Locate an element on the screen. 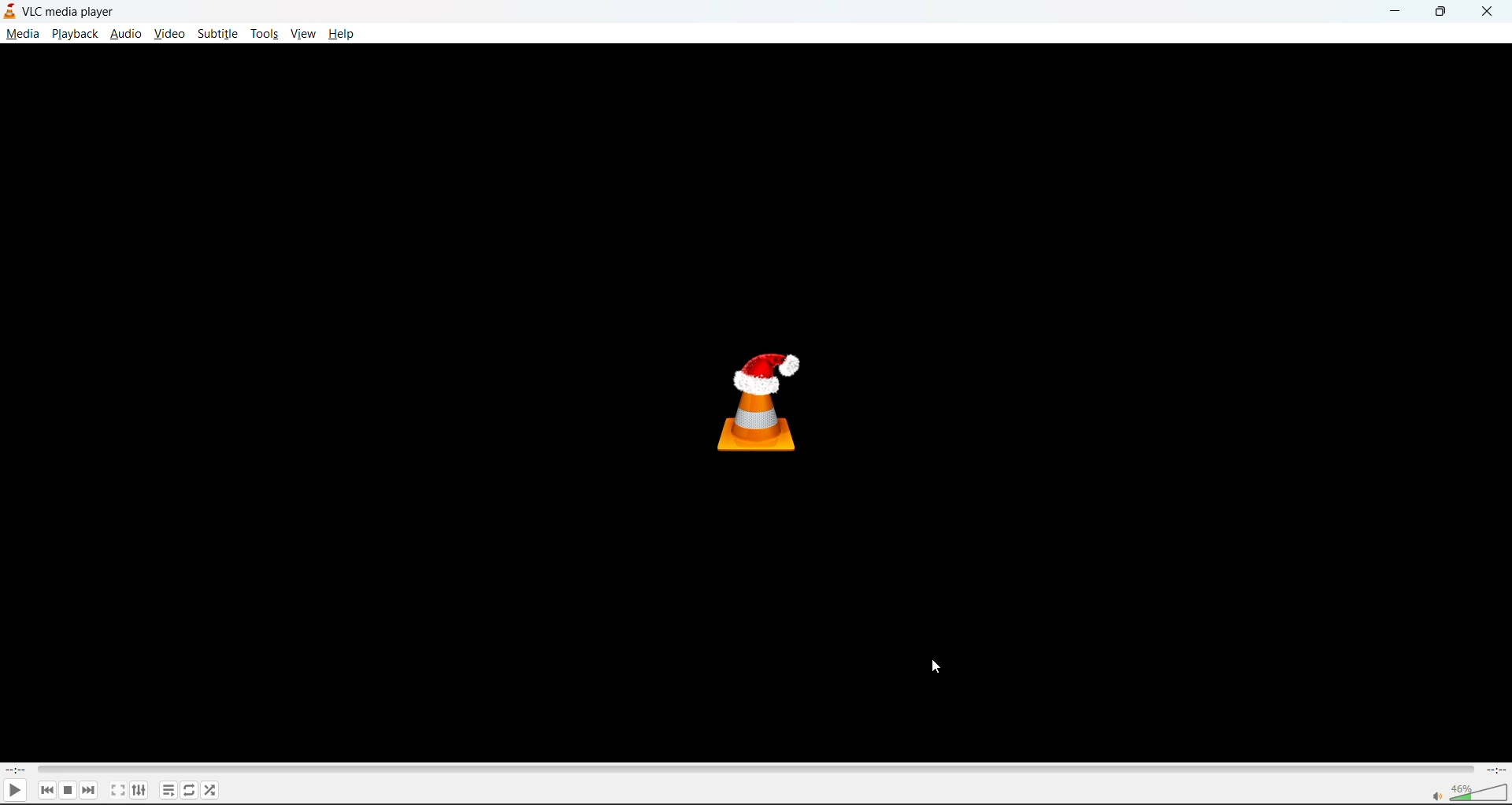 Image resolution: width=1512 pixels, height=805 pixels. total track time is located at coordinates (1495, 769).